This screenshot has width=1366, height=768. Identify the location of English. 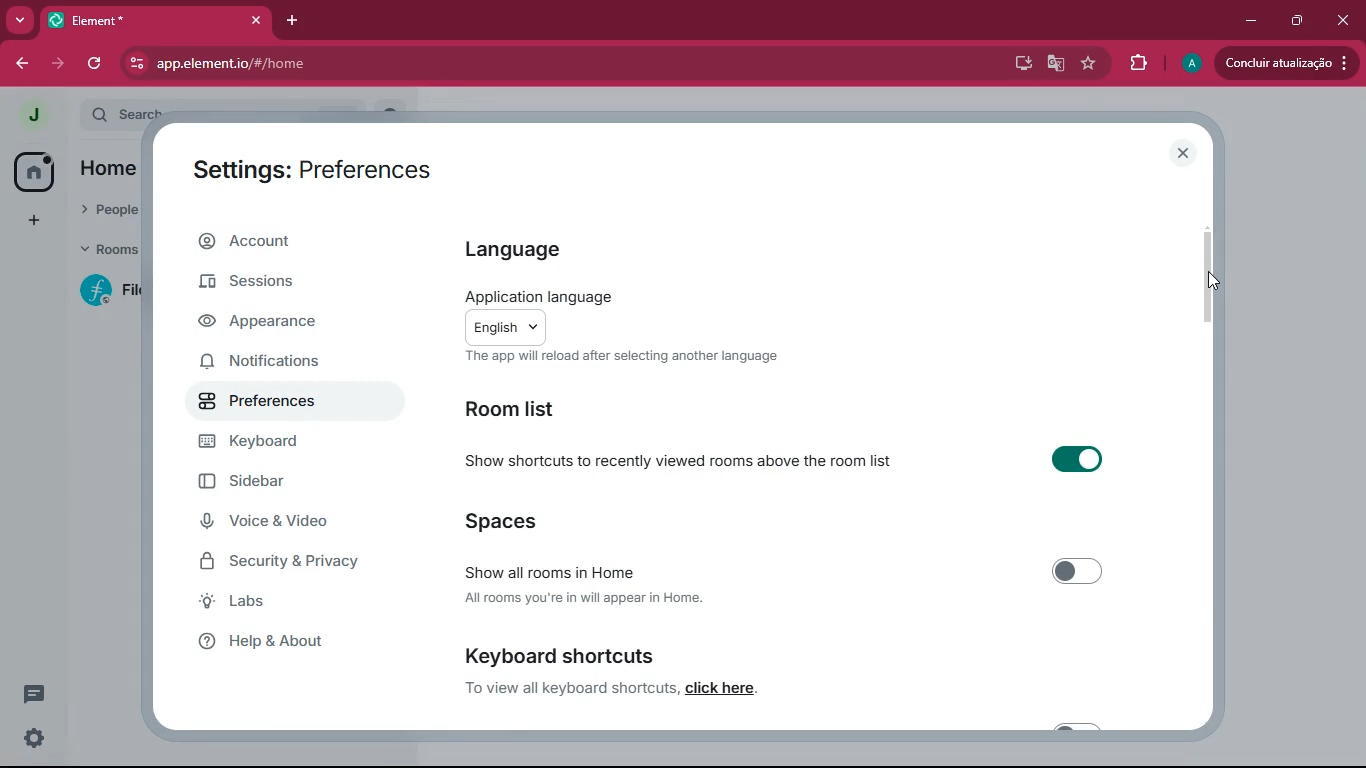
(533, 326).